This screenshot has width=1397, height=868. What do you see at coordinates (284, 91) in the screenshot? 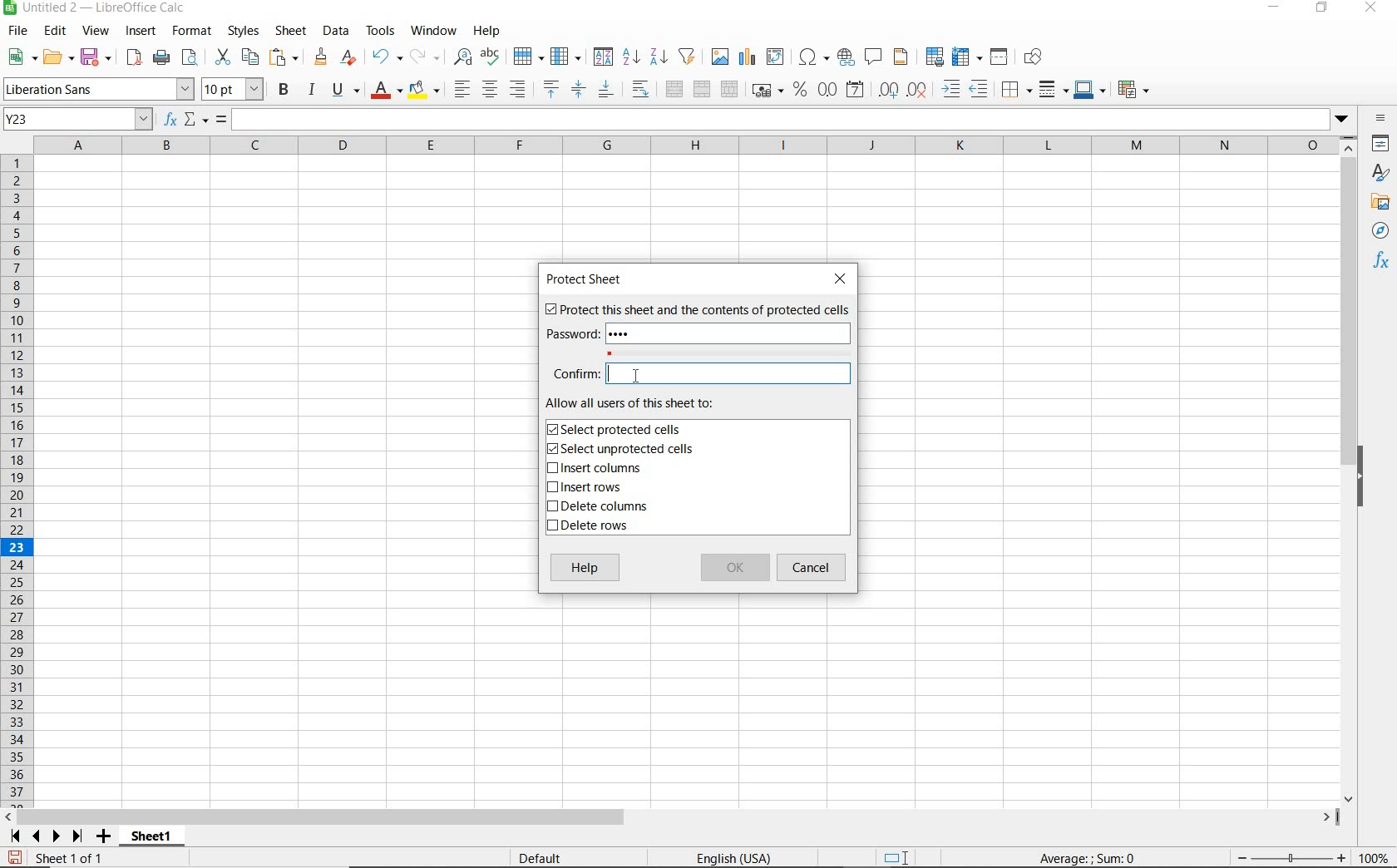
I see `BOLD` at bounding box center [284, 91].